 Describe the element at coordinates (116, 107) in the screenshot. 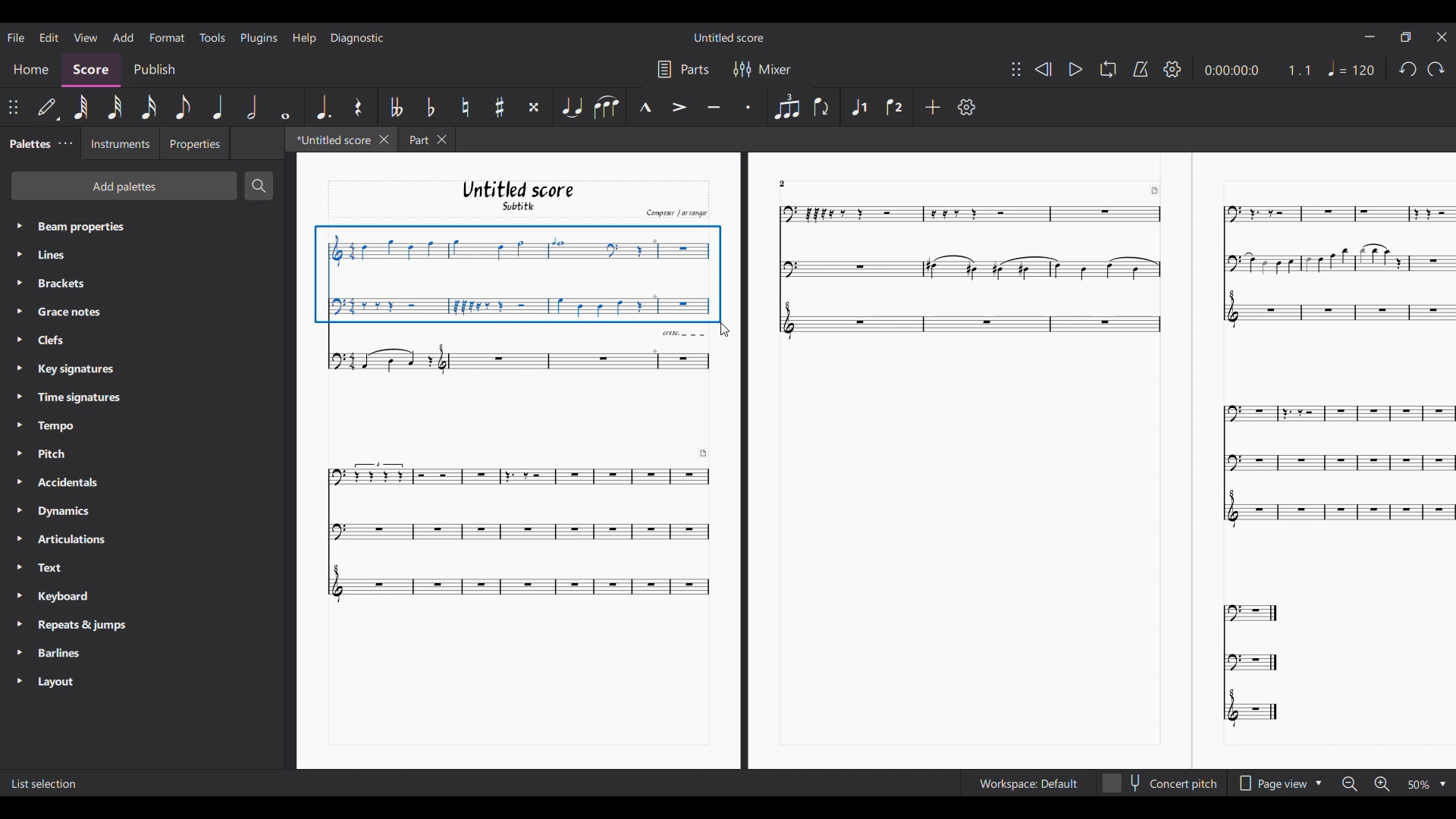

I see `32nd note` at that location.